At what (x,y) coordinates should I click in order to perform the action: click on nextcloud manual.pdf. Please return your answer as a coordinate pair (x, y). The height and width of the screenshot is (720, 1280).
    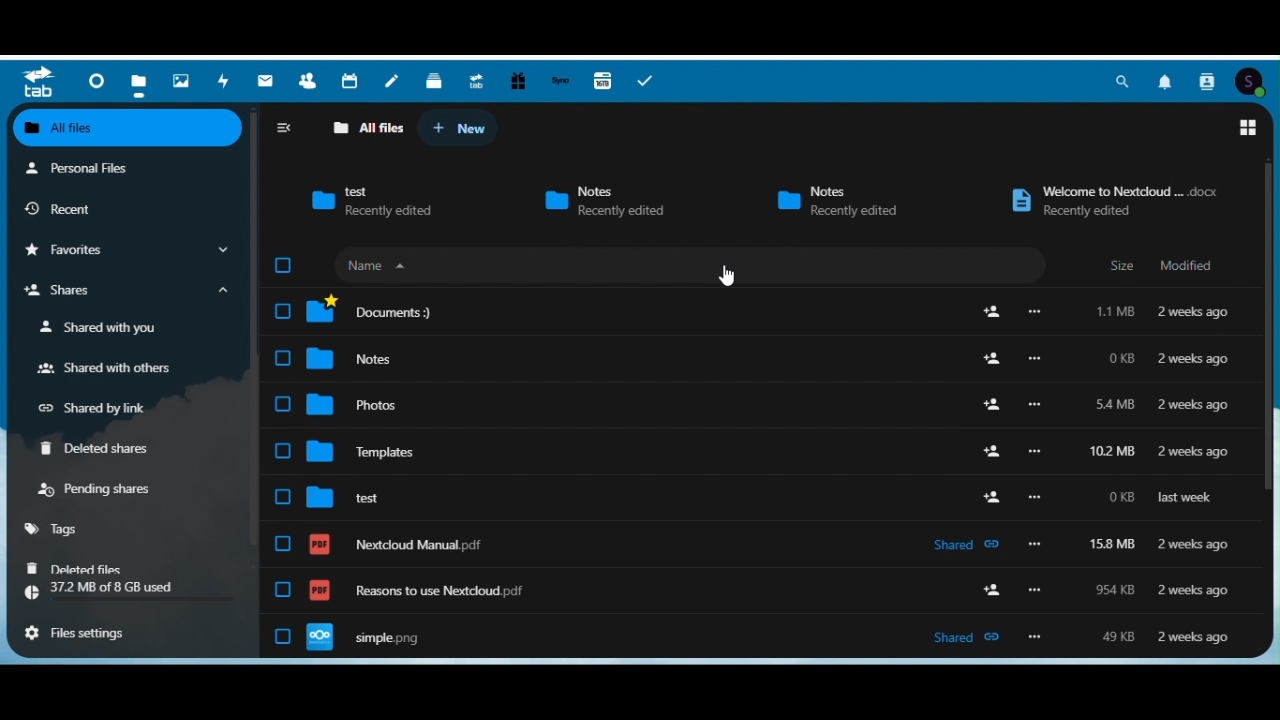
    Looking at the image, I should click on (757, 547).